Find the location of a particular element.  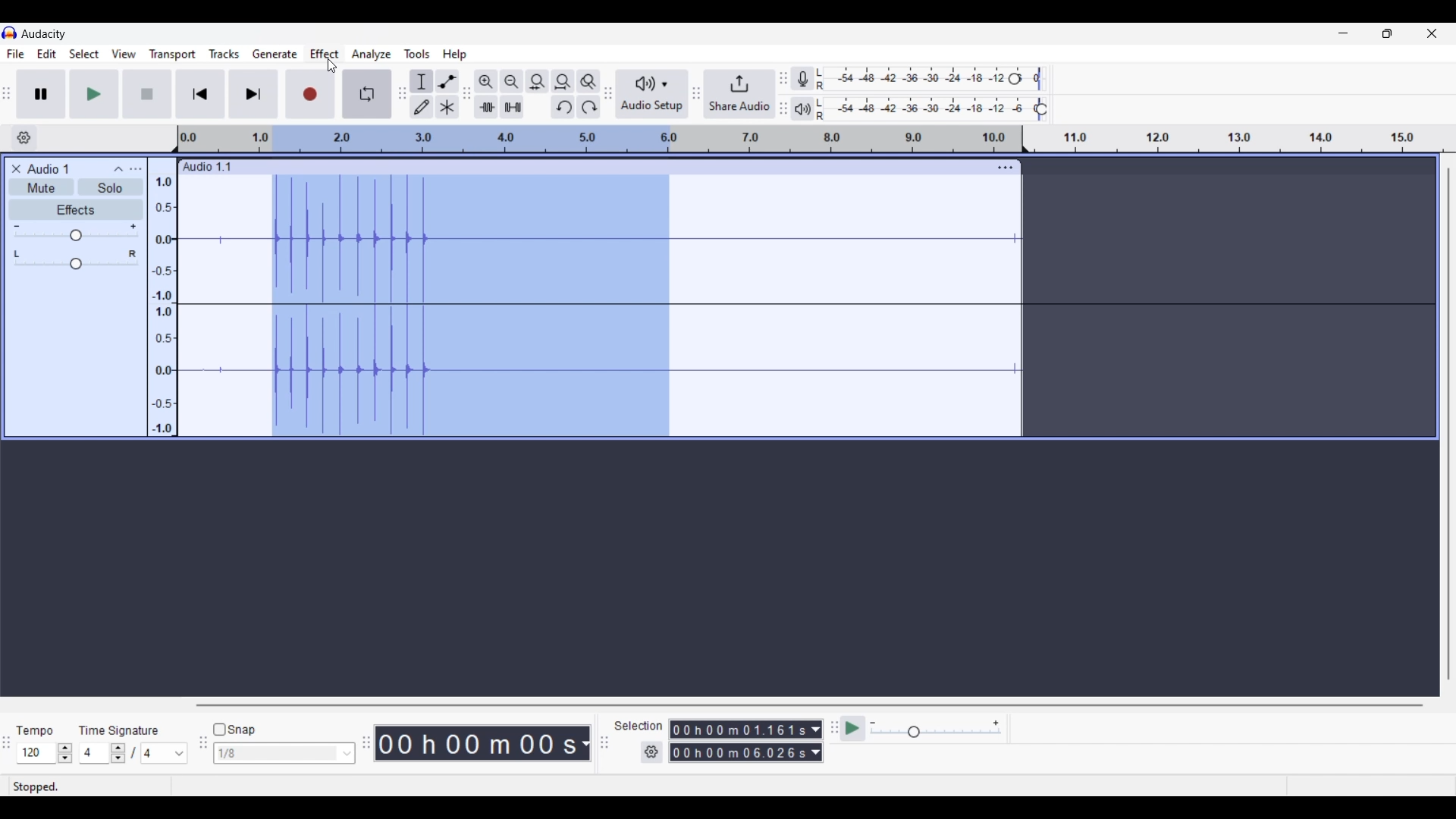

Selection settings is located at coordinates (652, 752).